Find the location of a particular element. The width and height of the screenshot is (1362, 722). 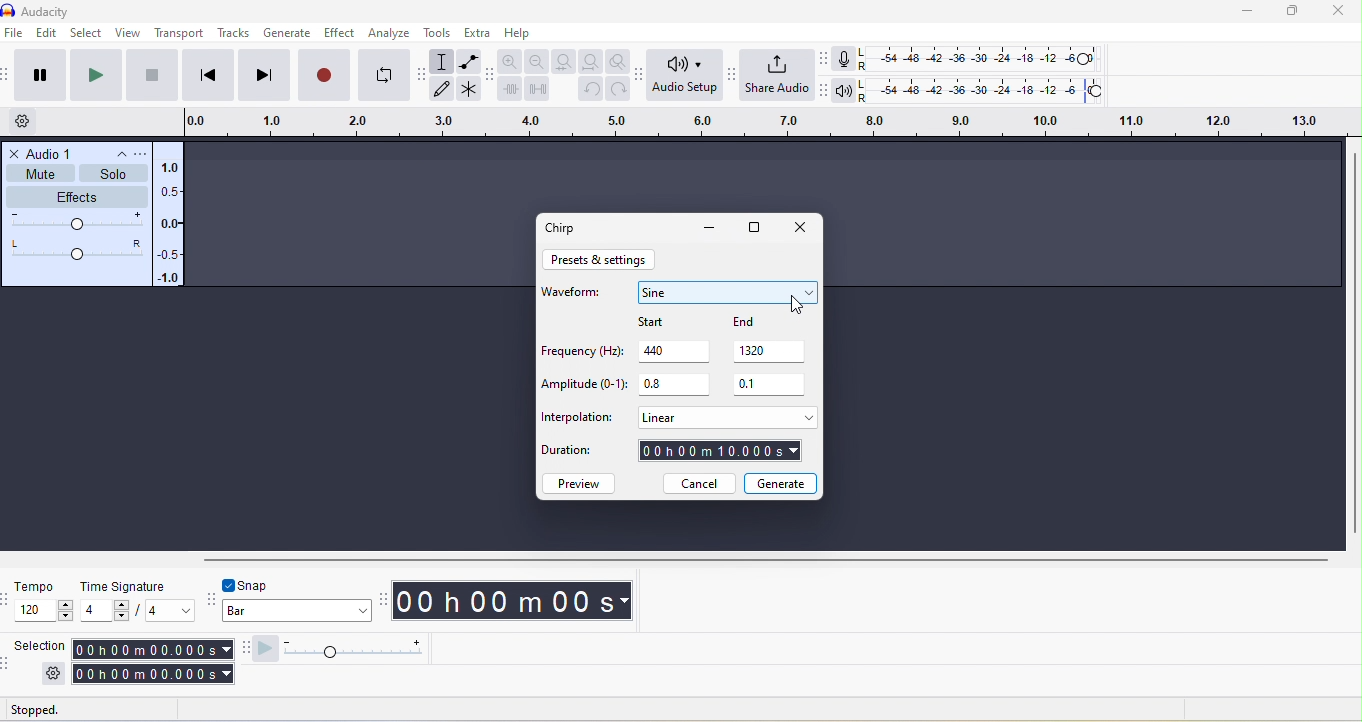

view is located at coordinates (126, 32).